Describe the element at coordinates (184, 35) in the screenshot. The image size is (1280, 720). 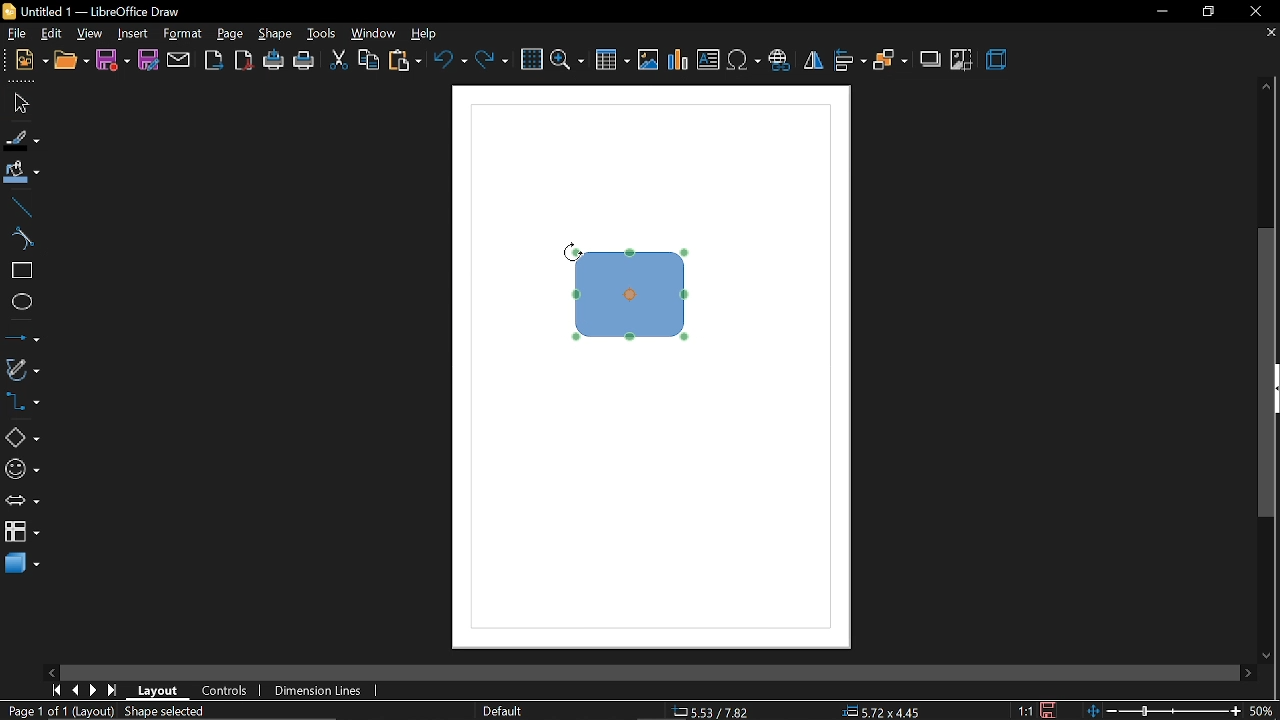
I see `format` at that location.